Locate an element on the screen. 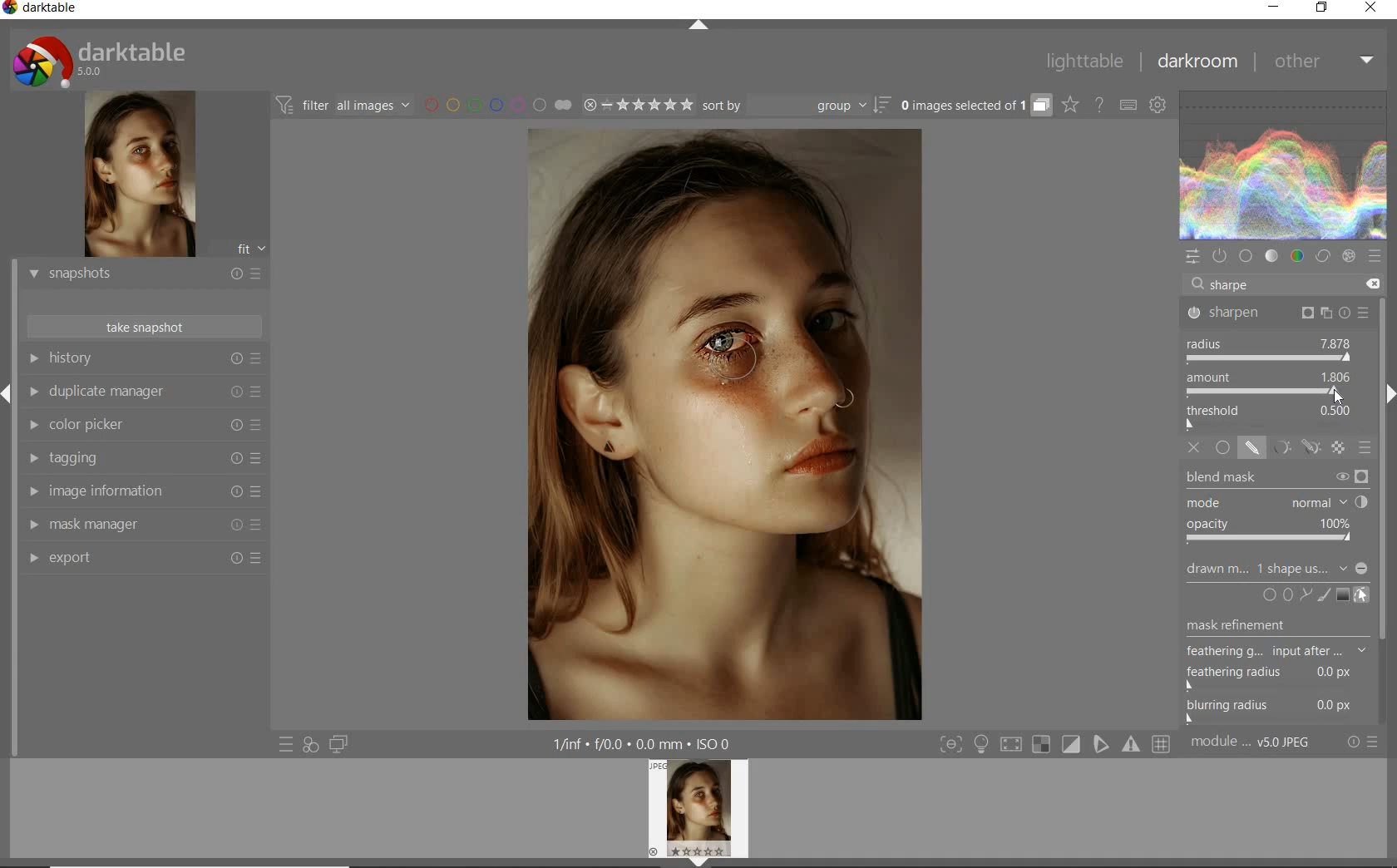 This screenshot has width=1397, height=868. BLURING RADIUS is located at coordinates (1275, 708).